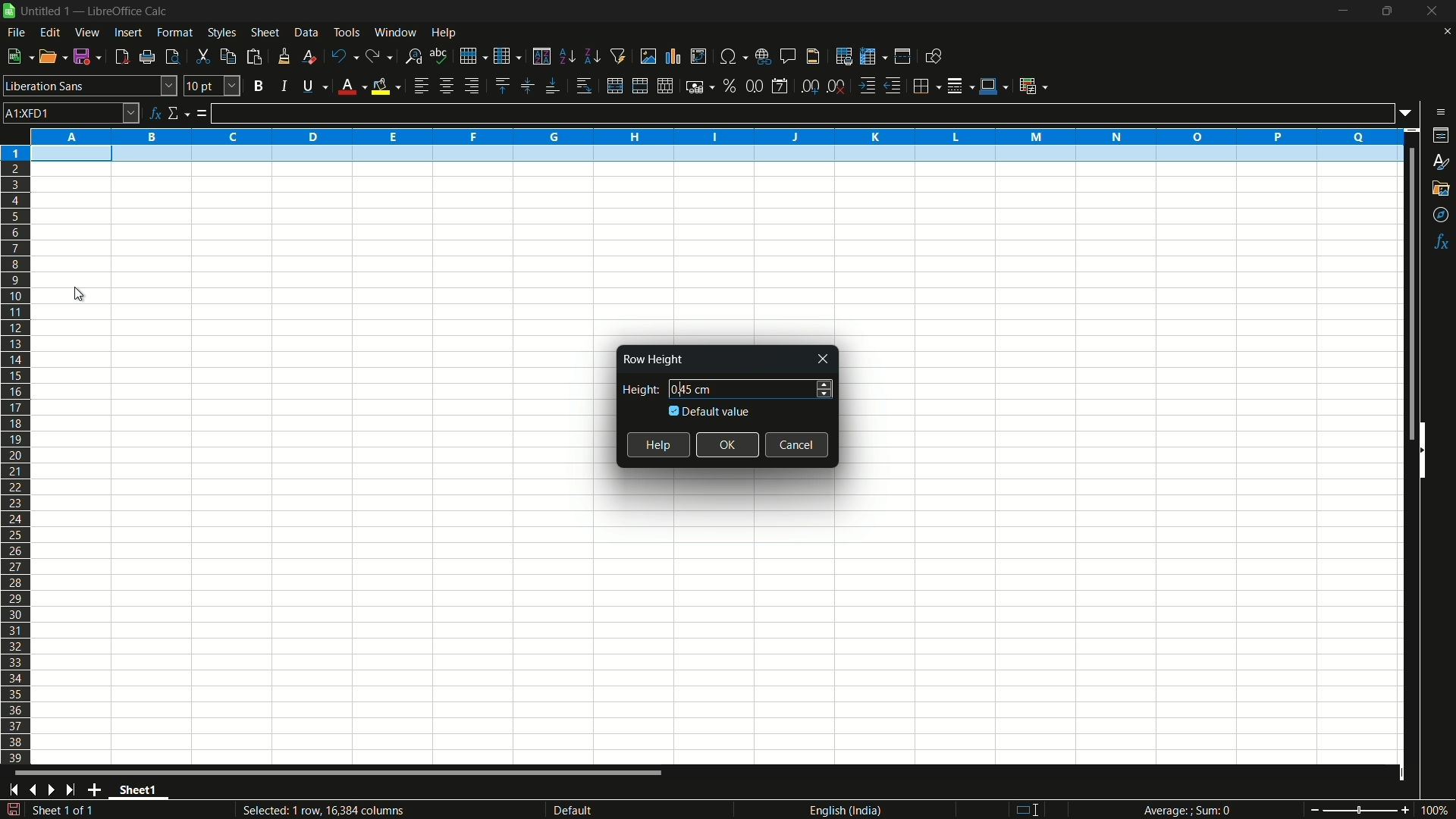 The image size is (1456, 819). Describe the element at coordinates (619, 56) in the screenshot. I see `auto filter` at that location.